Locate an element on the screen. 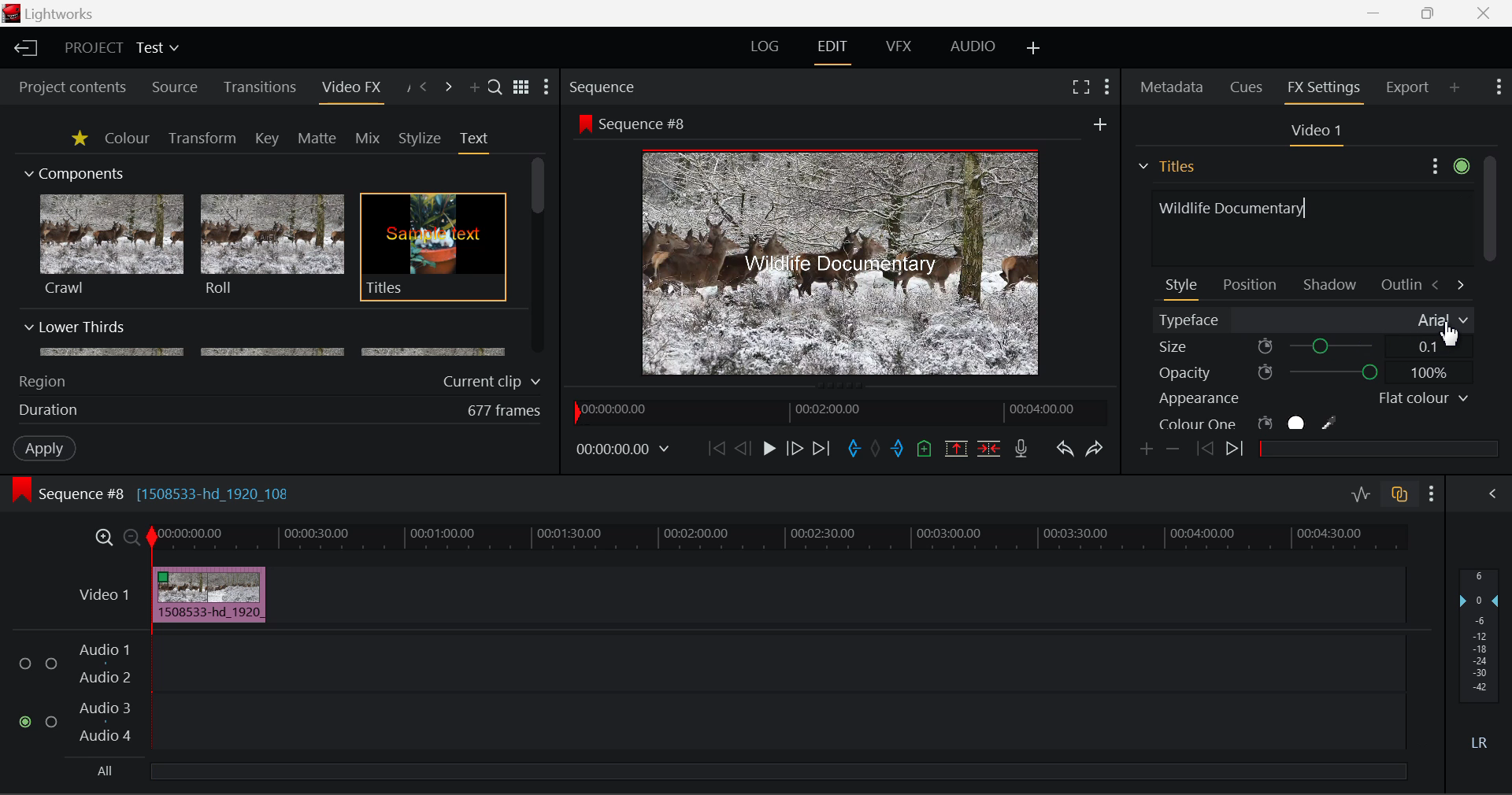 Image resolution: width=1512 pixels, height=795 pixels. checkbox is located at coordinates (28, 664).